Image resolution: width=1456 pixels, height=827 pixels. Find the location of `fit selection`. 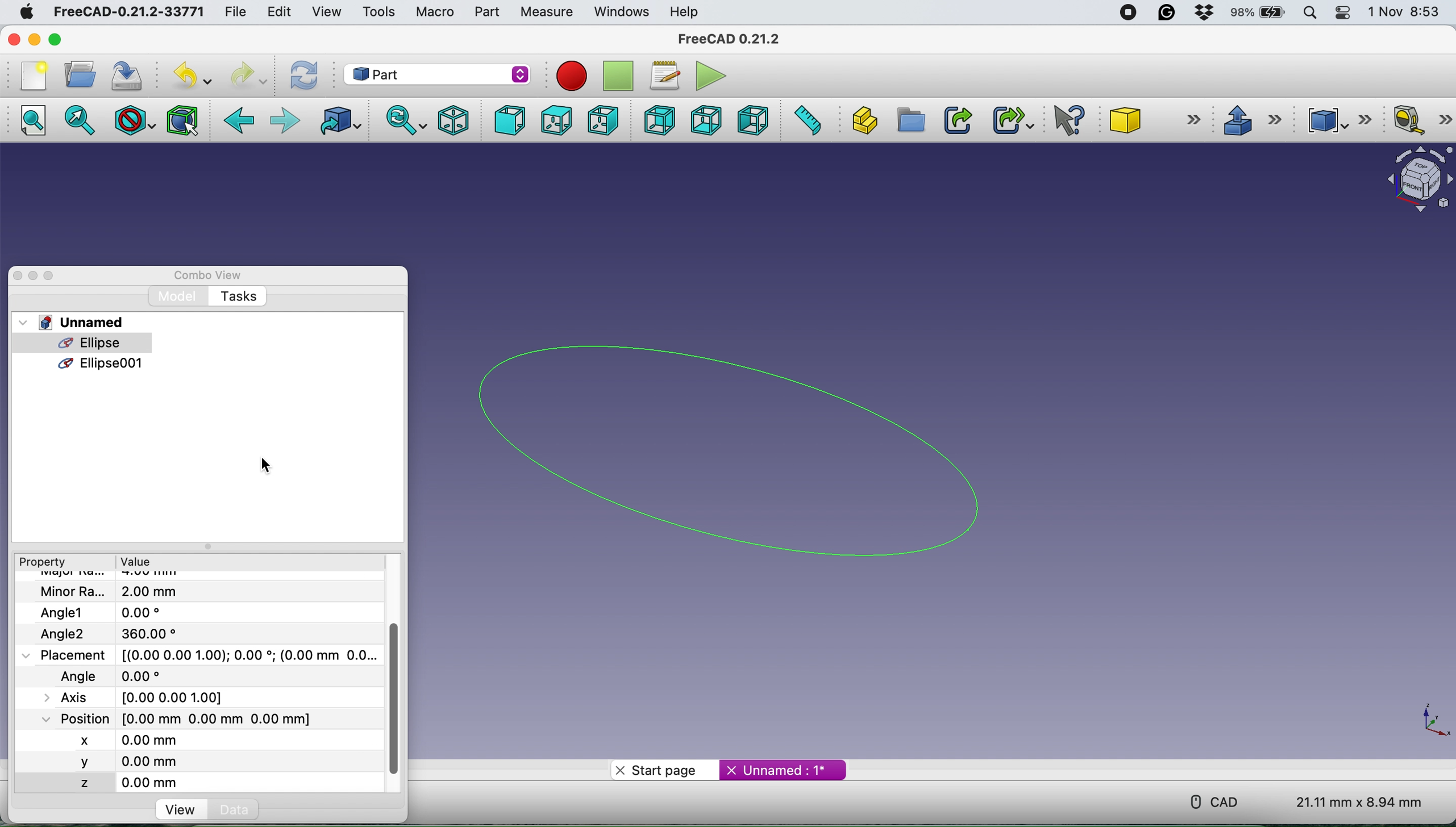

fit selection is located at coordinates (80, 120).